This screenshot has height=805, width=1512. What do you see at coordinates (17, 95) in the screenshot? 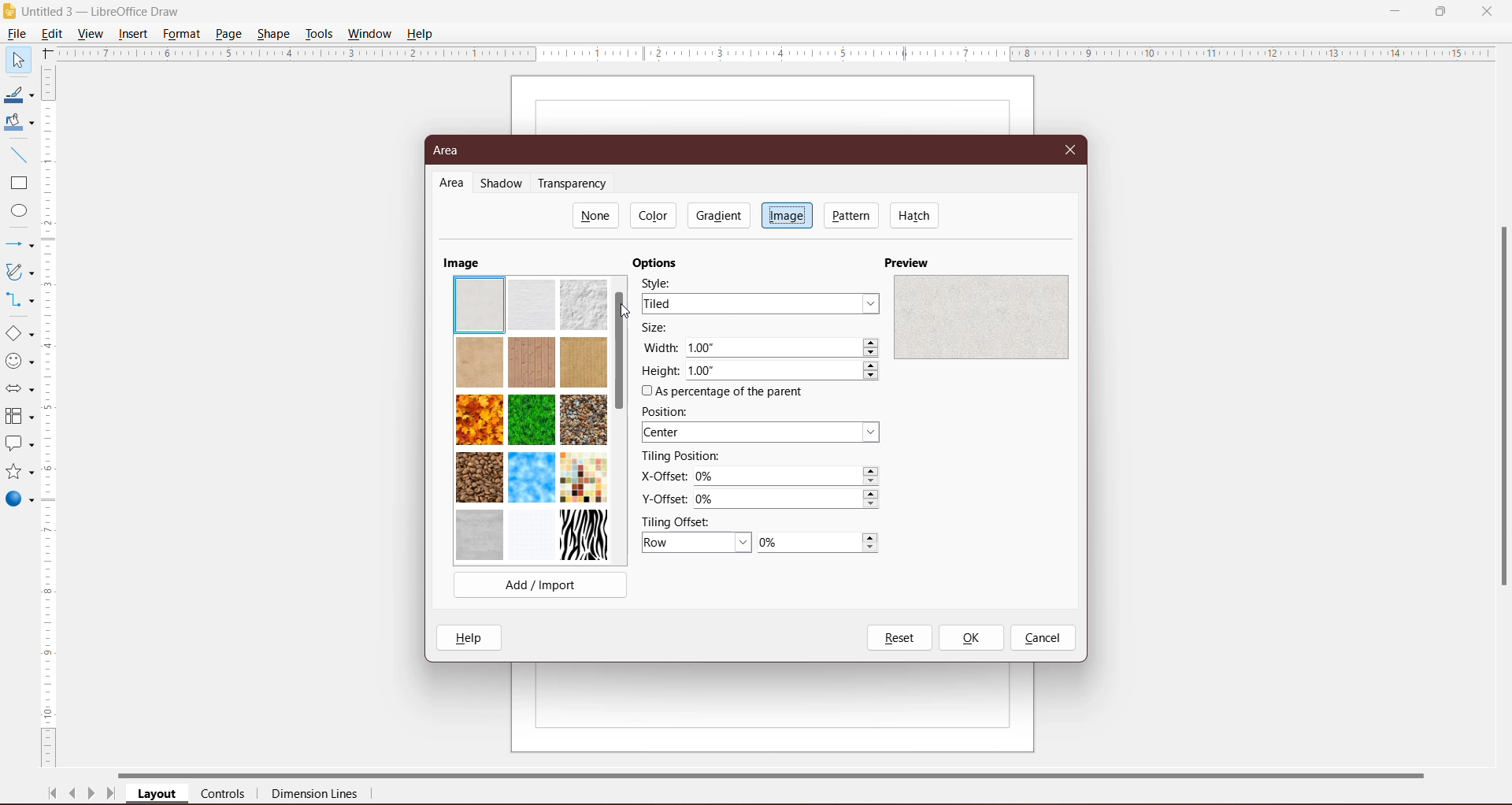
I see `Line Color` at bounding box center [17, 95].